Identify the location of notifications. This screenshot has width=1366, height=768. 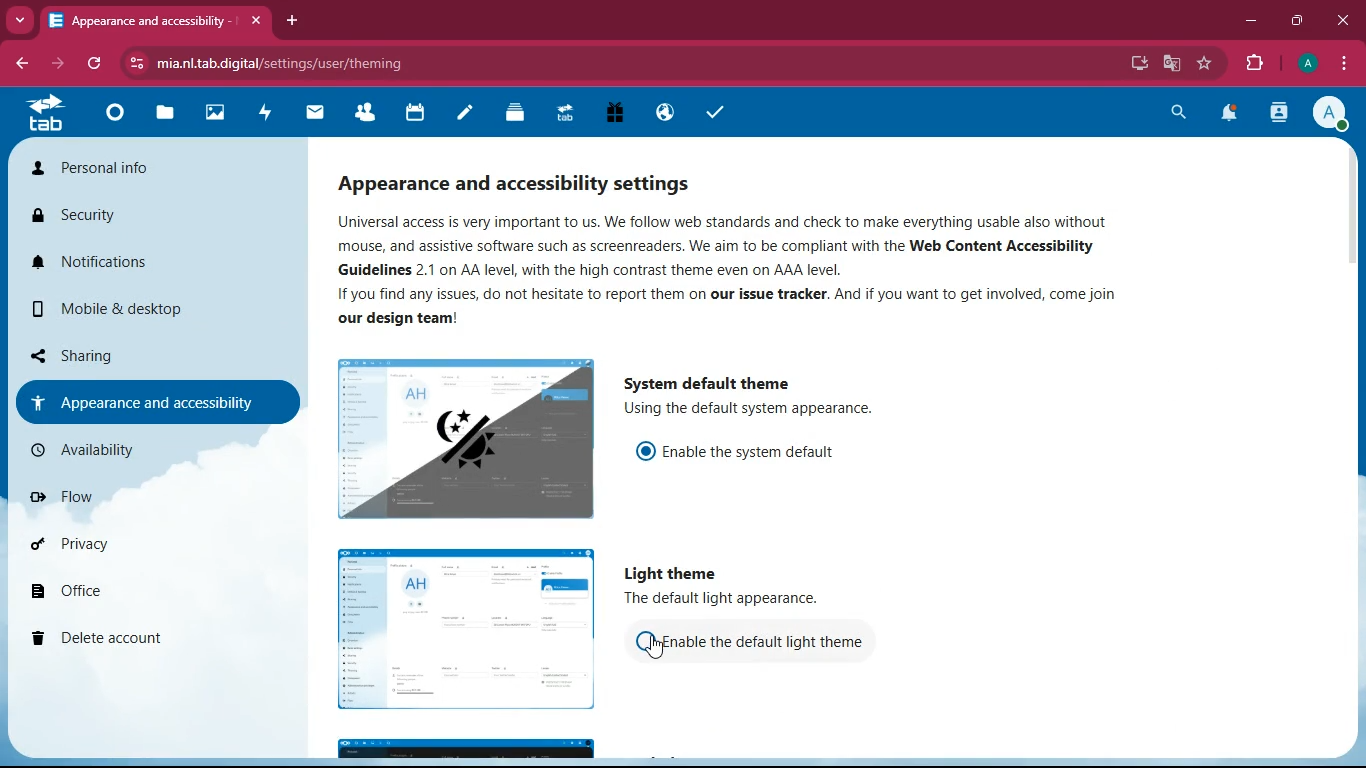
(155, 269).